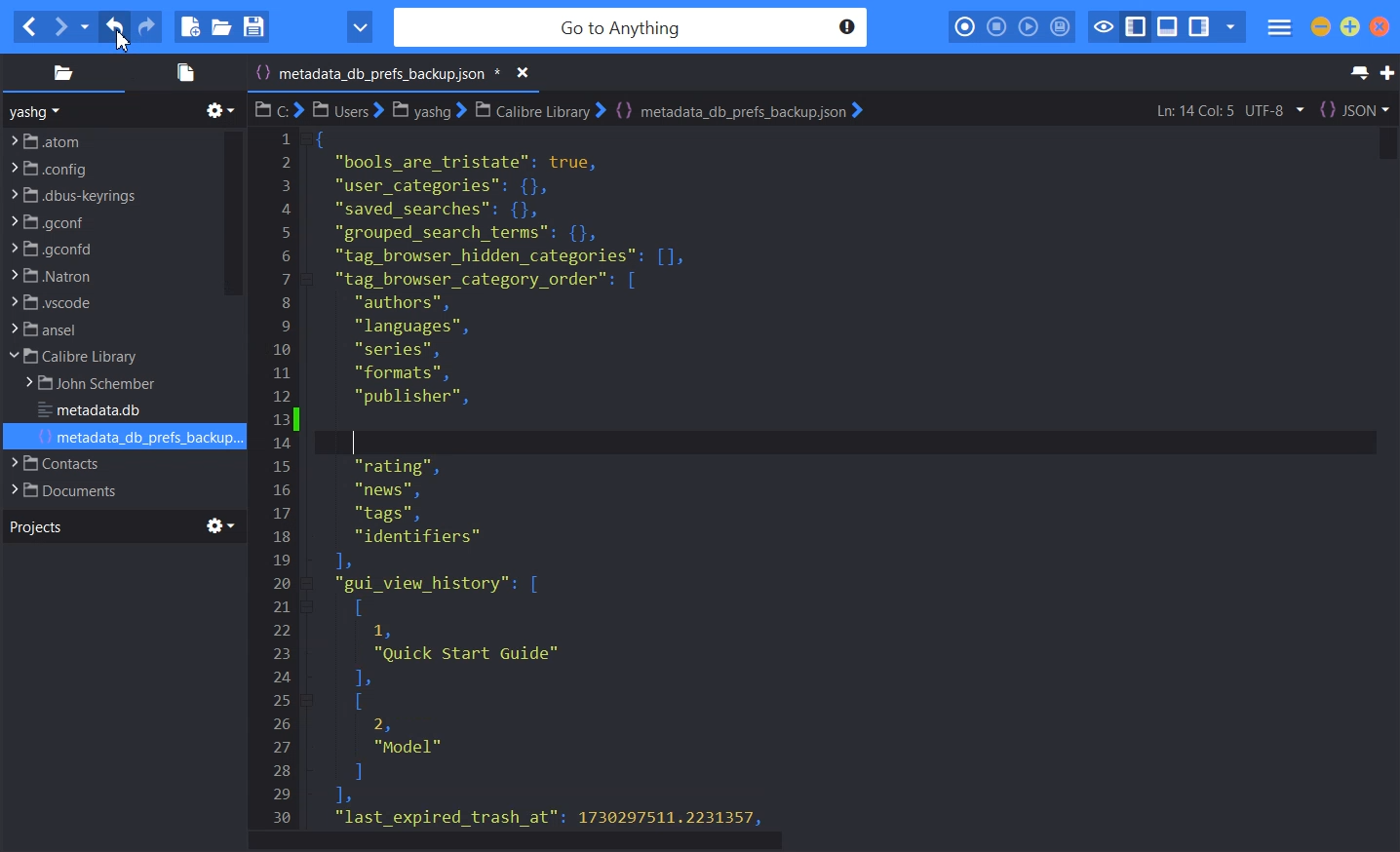 This screenshot has height=852, width=1400. What do you see at coordinates (633, 28) in the screenshot?
I see `Go to Anytime` at bounding box center [633, 28].